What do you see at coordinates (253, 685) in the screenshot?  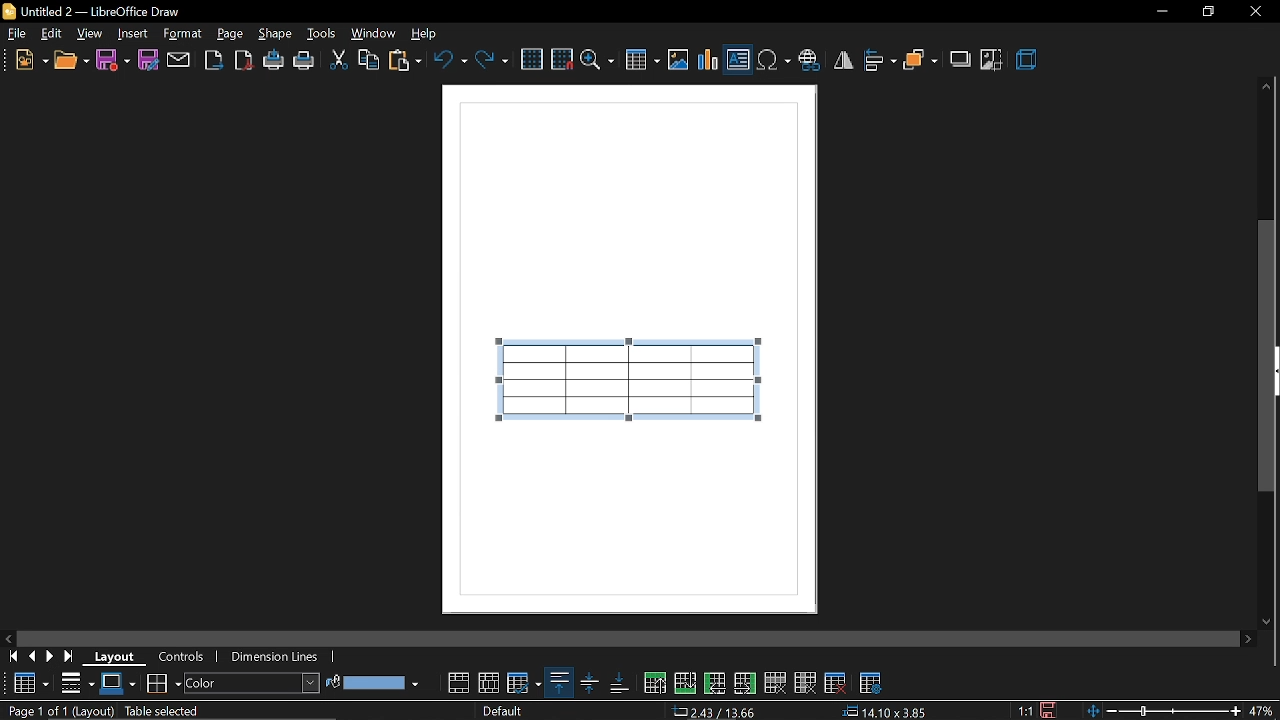 I see `area style` at bounding box center [253, 685].